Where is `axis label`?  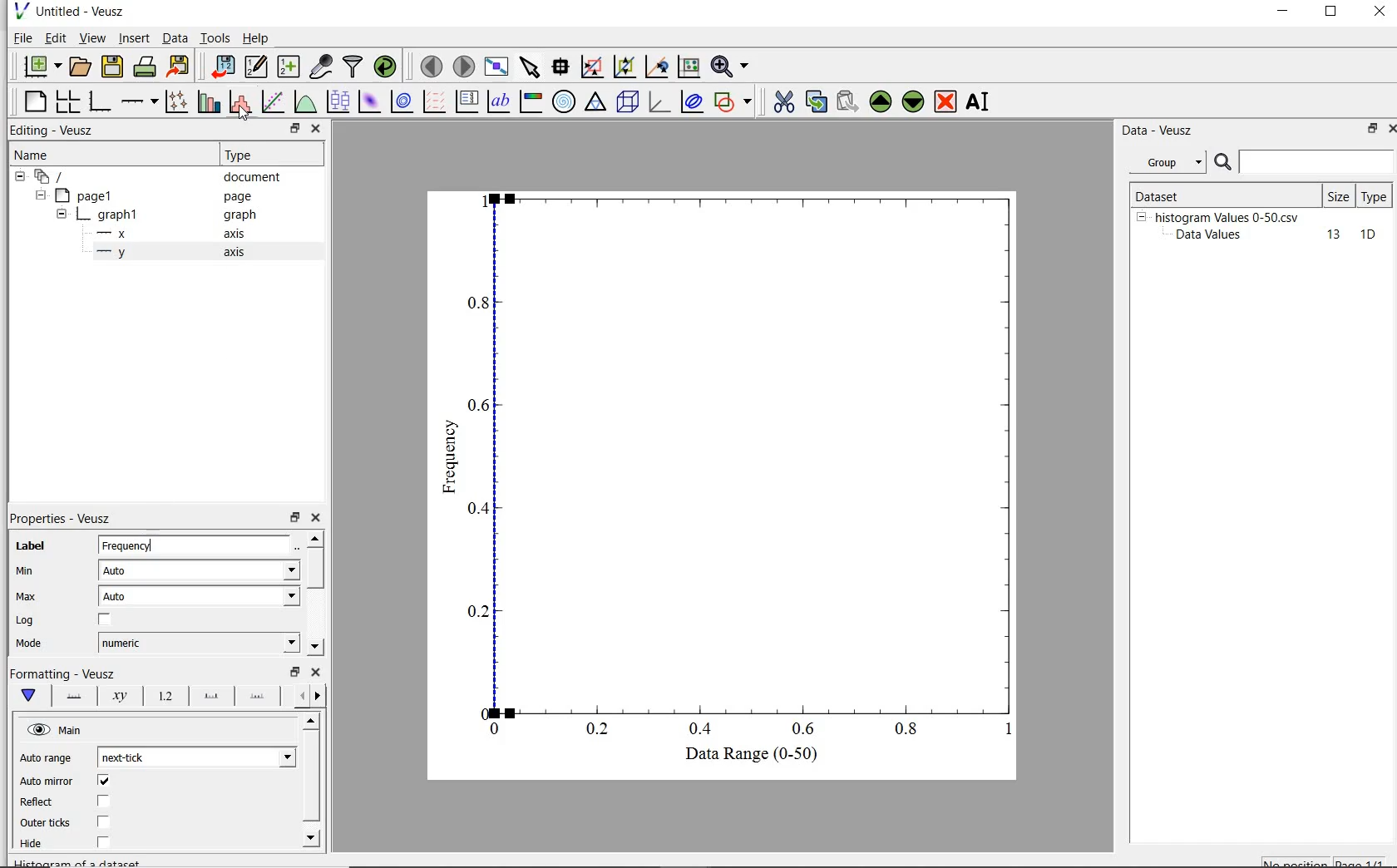 axis label is located at coordinates (121, 696).